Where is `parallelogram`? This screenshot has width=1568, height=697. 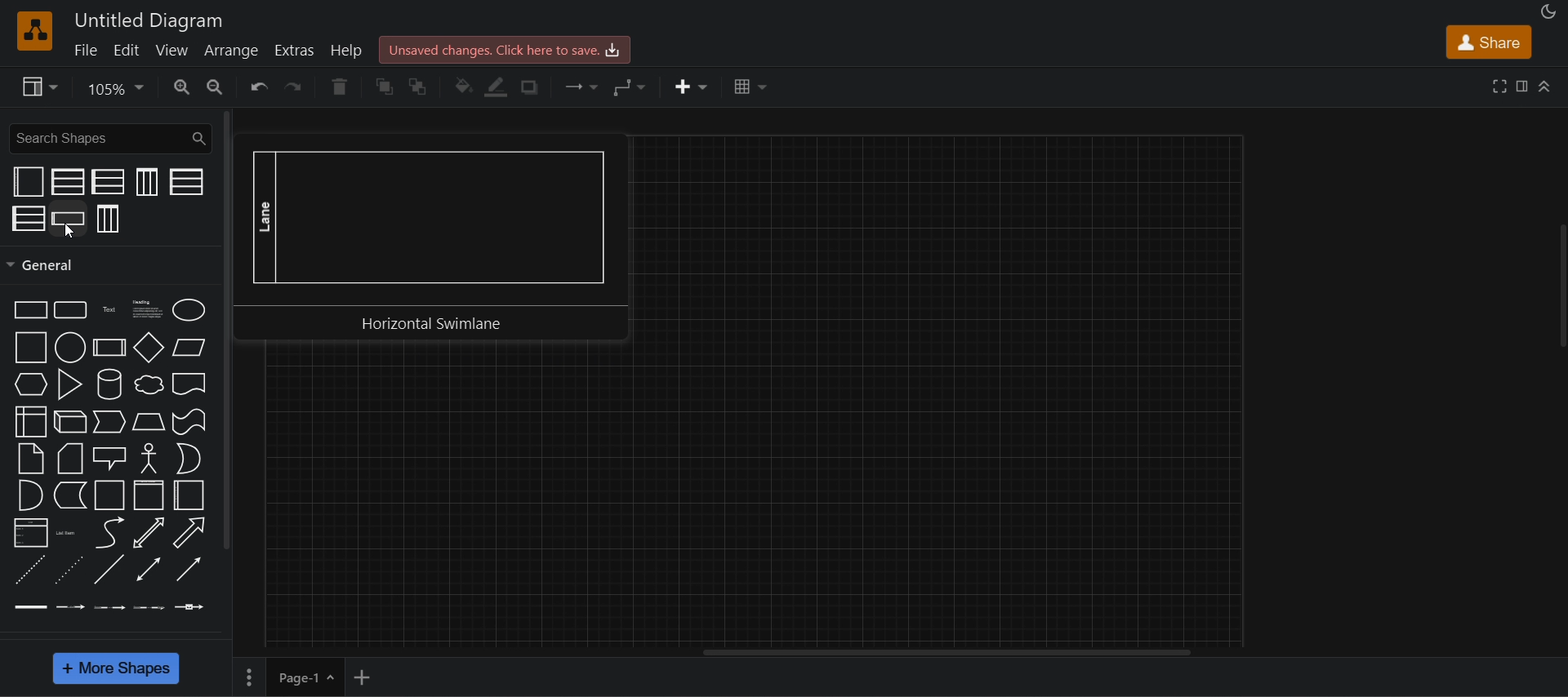
parallelogram is located at coordinates (189, 347).